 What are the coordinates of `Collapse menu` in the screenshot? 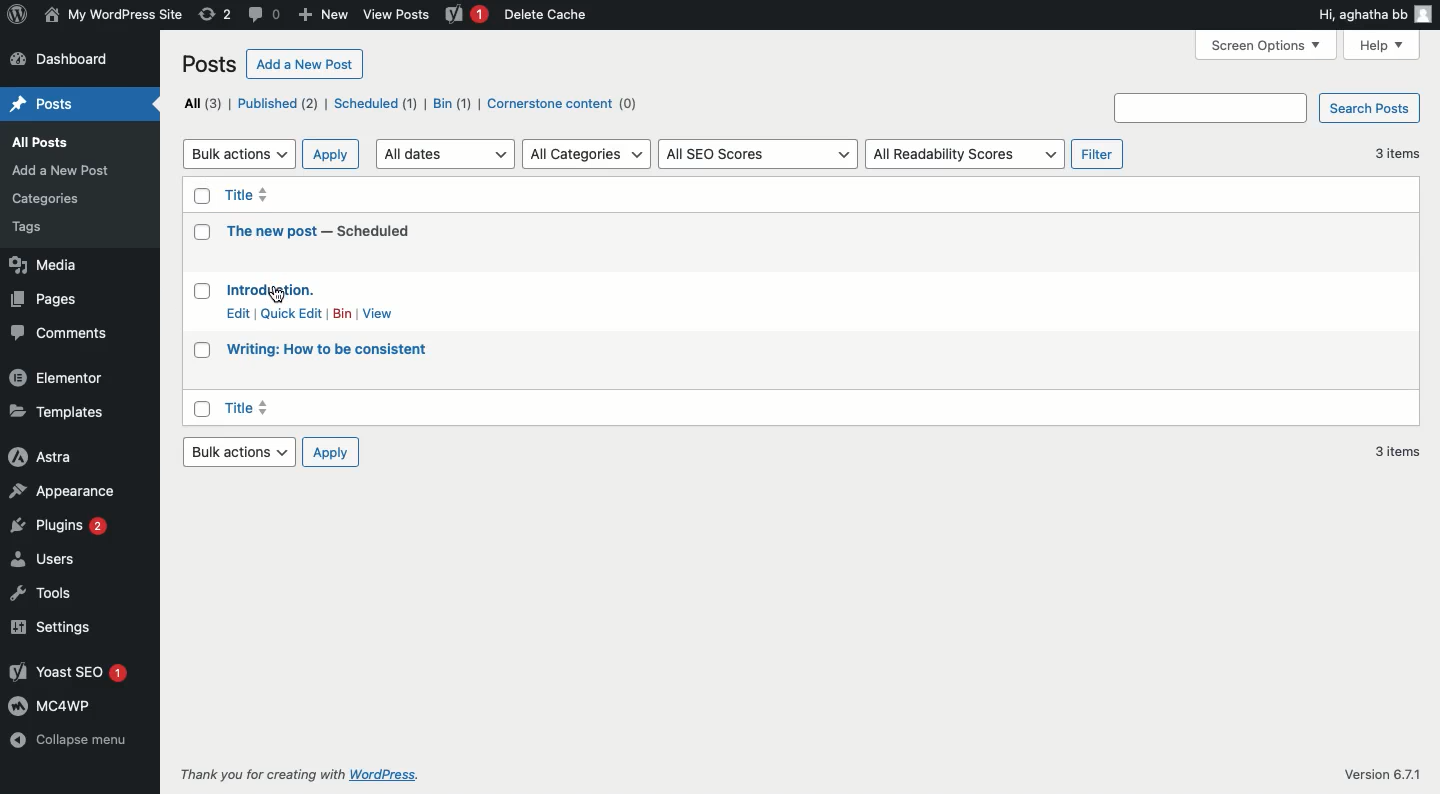 It's located at (71, 740).